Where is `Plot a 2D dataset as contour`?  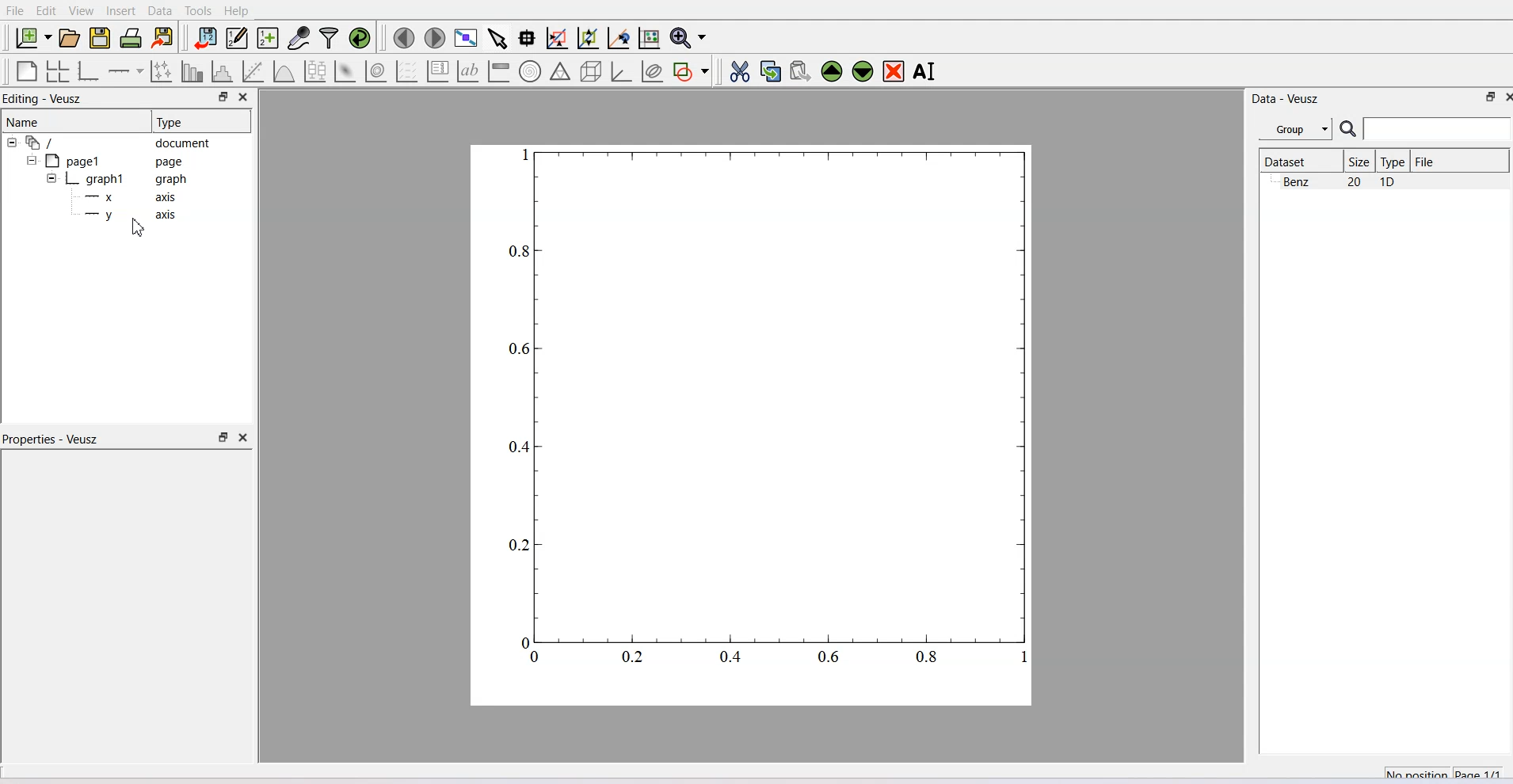
Plot a 2D dataset as contour is located at coordinates (376, 71).